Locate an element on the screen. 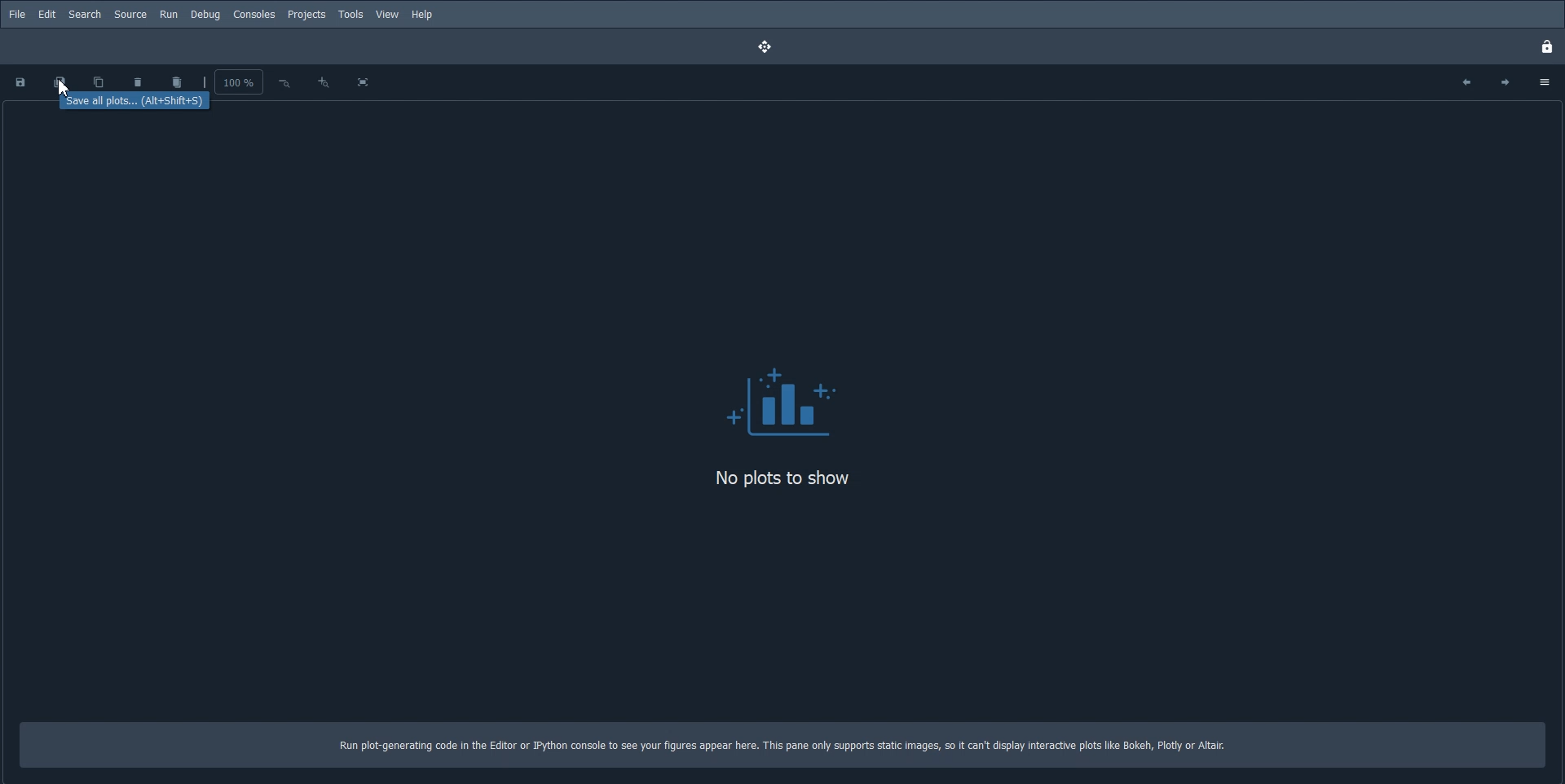 The width and height of the screenshot is (1565, 784). Run is located at coordinates (168, 15).